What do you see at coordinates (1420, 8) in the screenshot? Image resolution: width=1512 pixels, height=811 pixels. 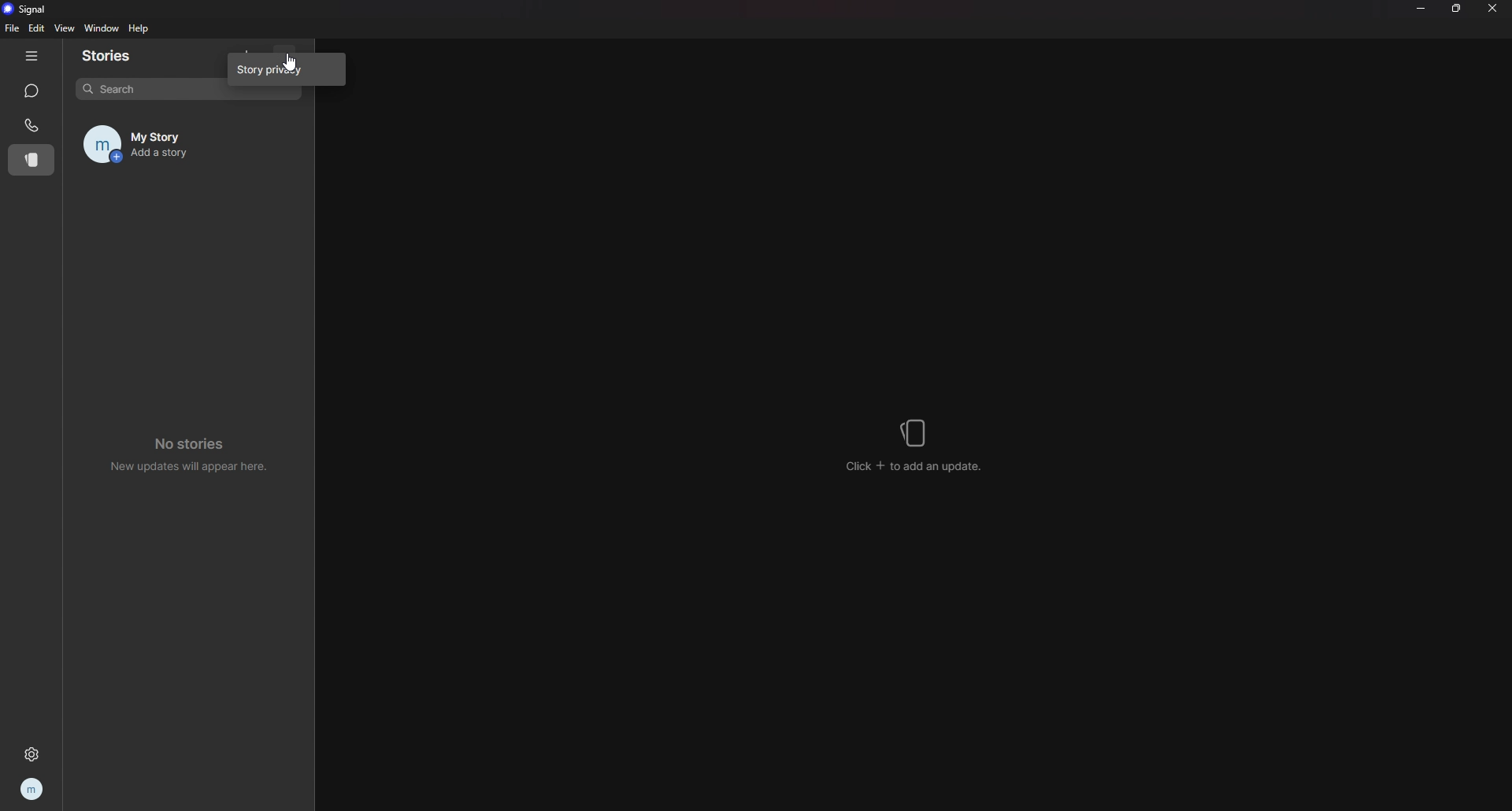 I see `minimize` at bounding box center [1420, 8].